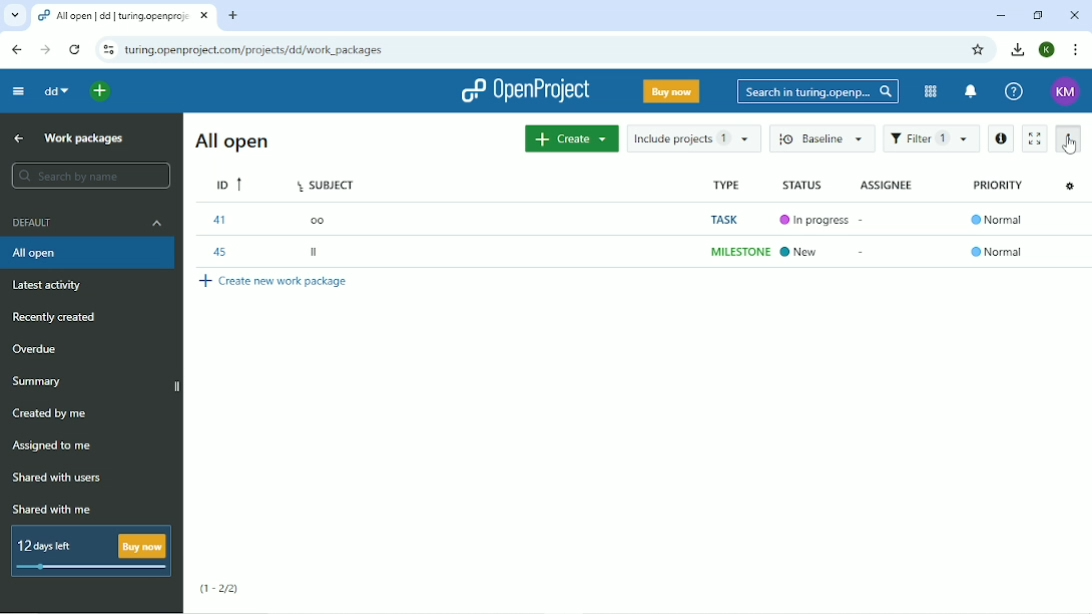 Image resolution: width=1092 pixels, height=614 pixels. What do you see at coordinates (885, 185) in the screenshot?
I see `Assignee` at bounding box center [885, 185].